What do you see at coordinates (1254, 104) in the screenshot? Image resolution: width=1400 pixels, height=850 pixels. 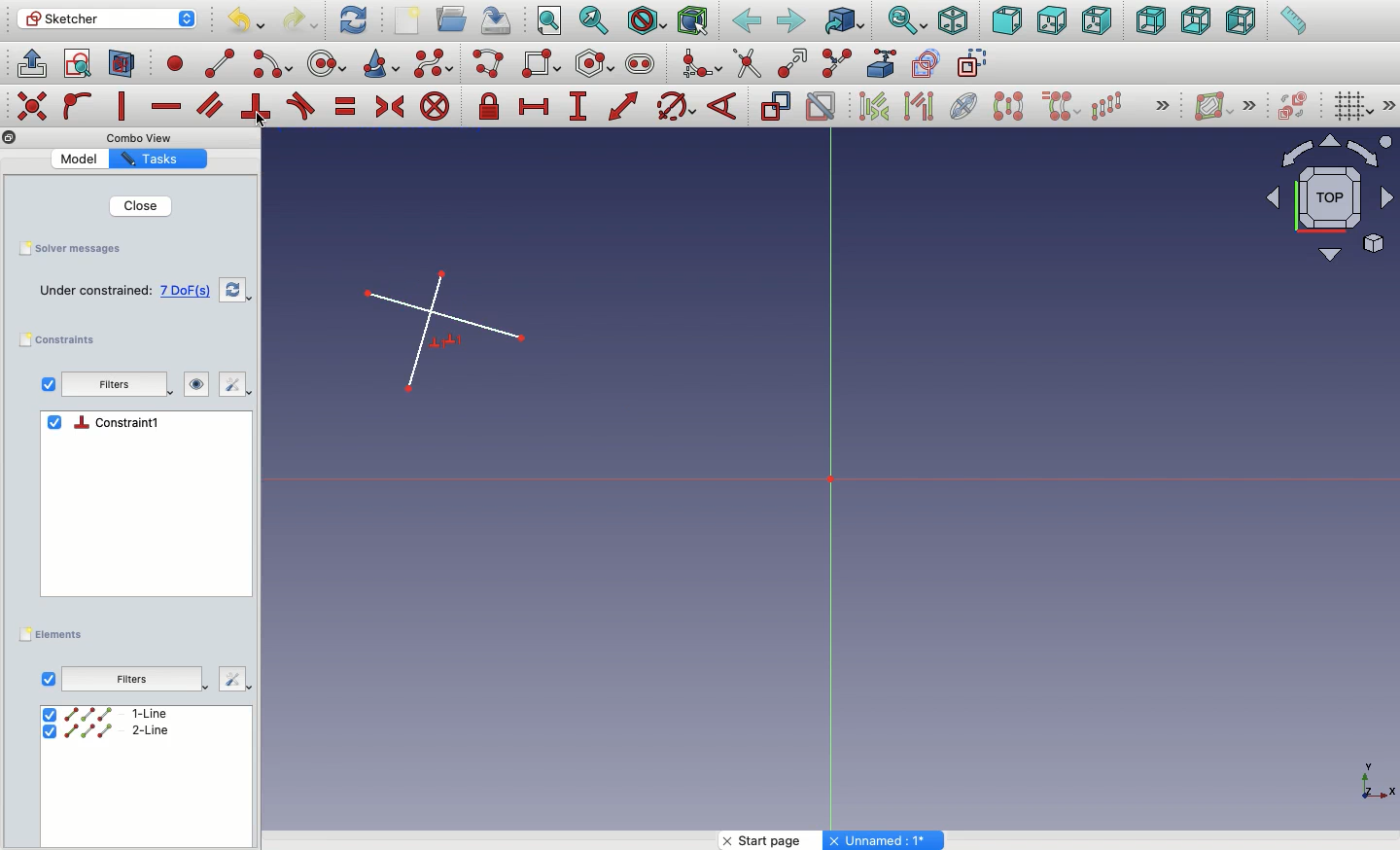 I see `` at bounding box center [1254, 104].